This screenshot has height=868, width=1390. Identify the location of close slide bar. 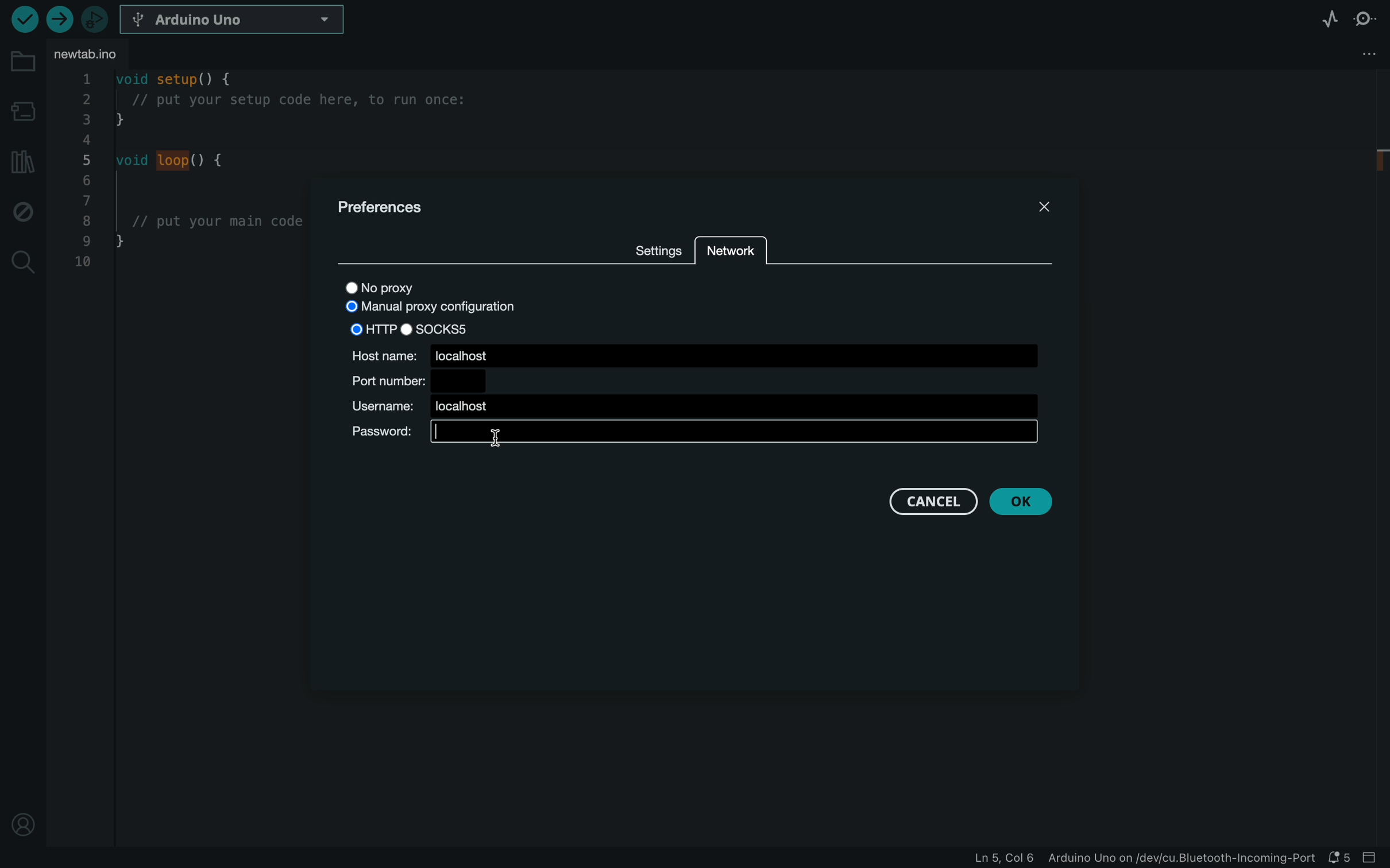
(1375, 859).